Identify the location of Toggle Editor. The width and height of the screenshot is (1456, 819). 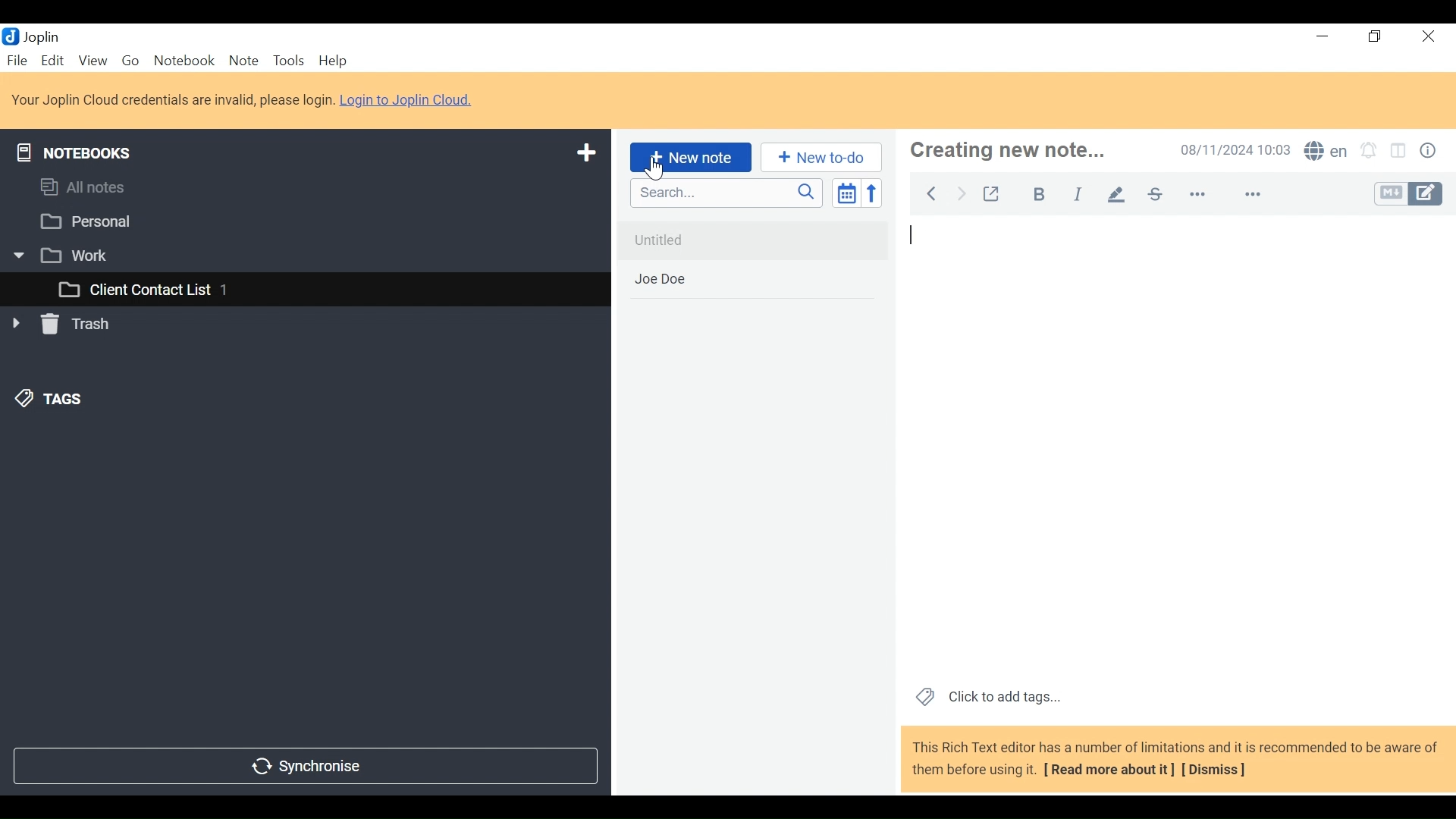
(1409, 193).